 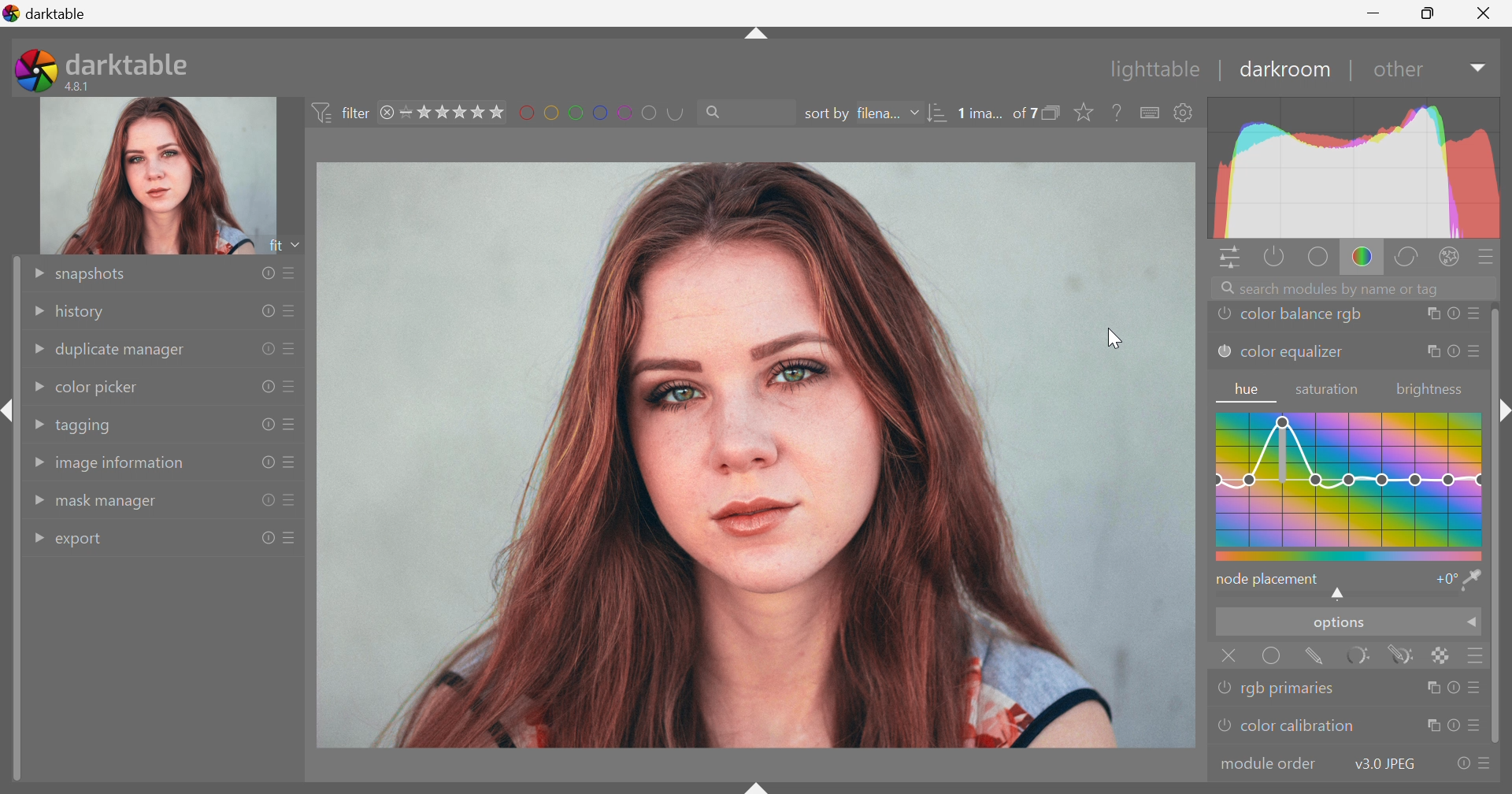 I want to click on Minimize, so click(x=1373, y=13).